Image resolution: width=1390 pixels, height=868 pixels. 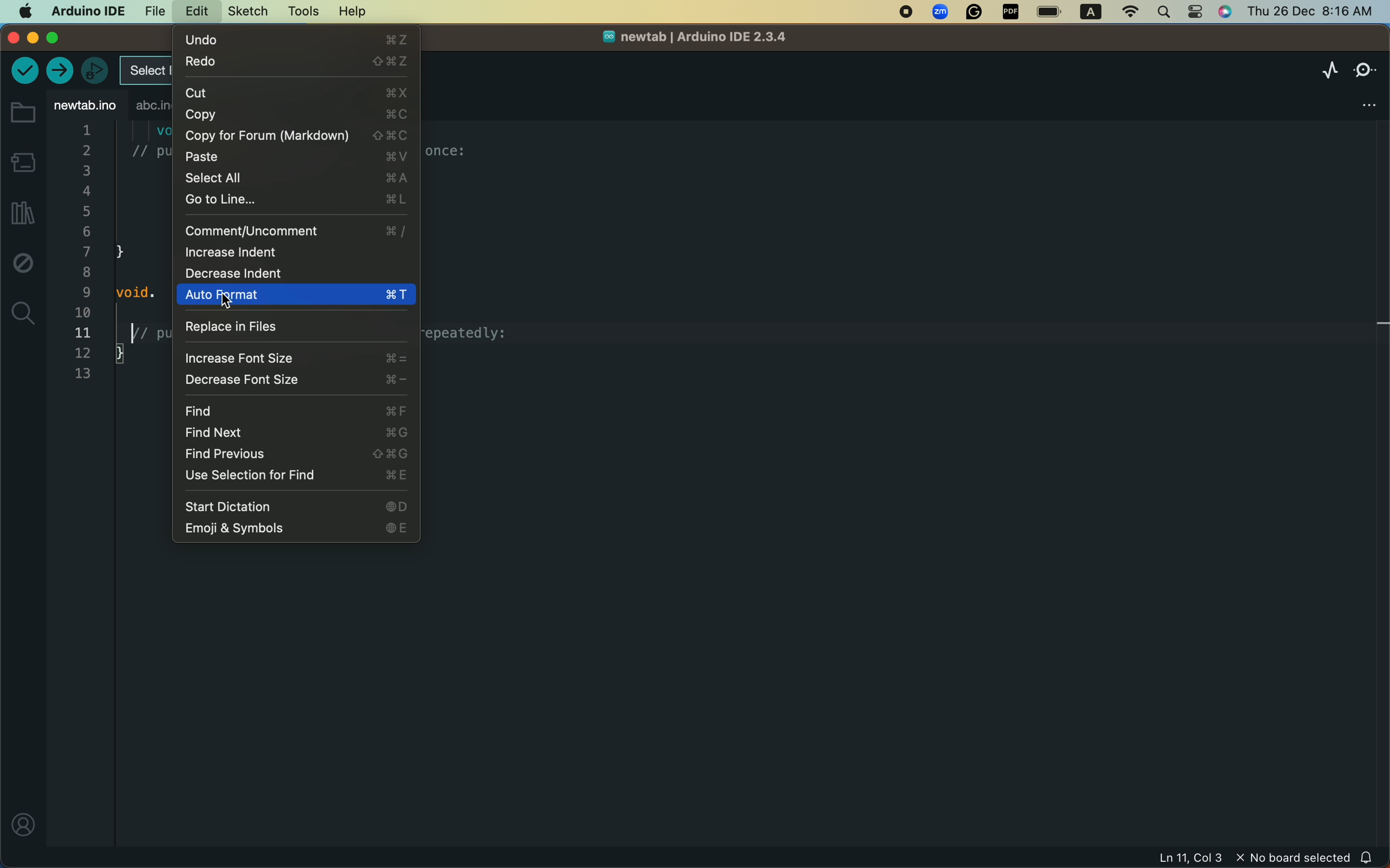 I want to click on upload, so click(x=61, y=71).